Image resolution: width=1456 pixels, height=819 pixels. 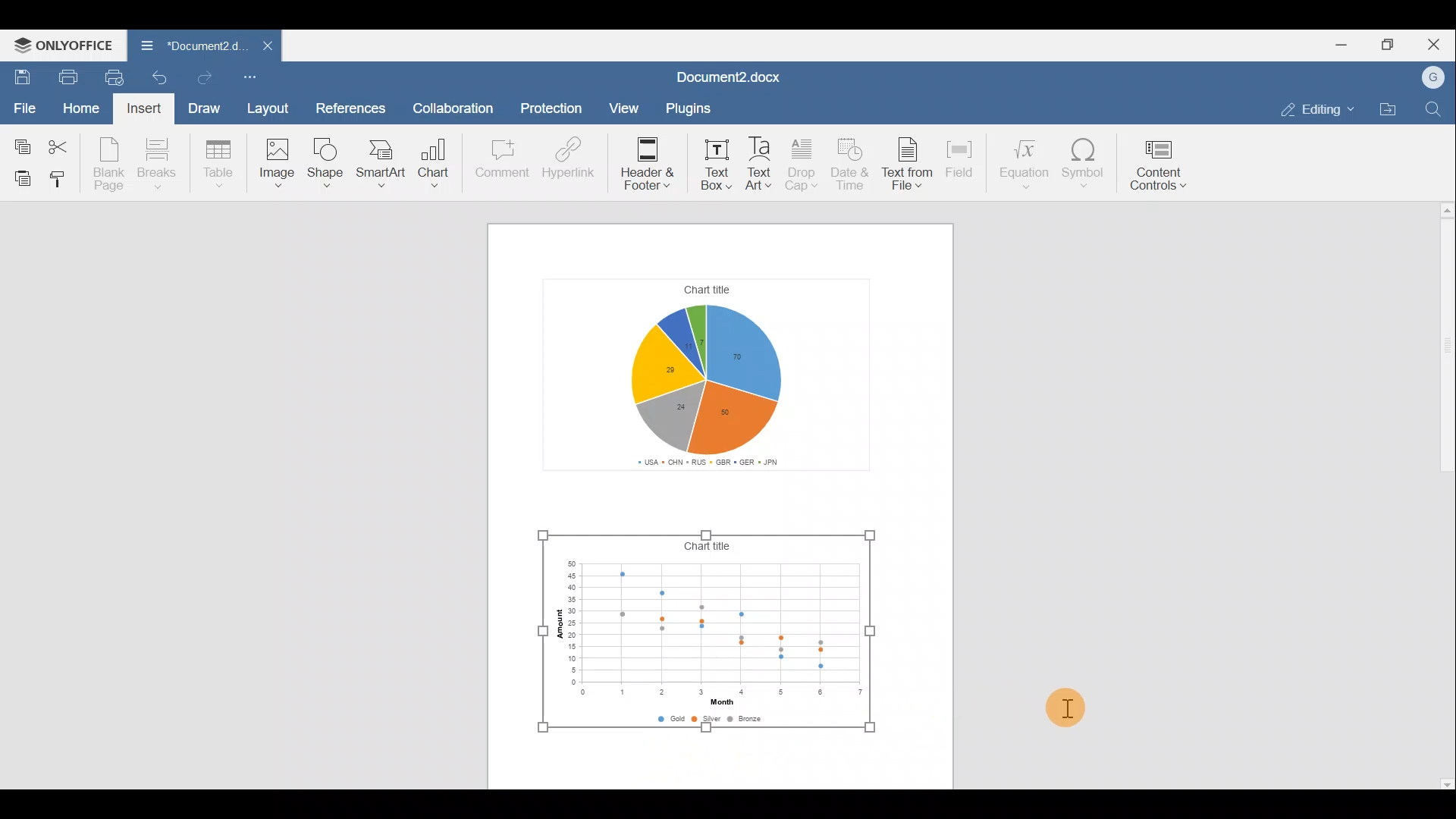 I want to click on Cut, so click(x=64, y=146).